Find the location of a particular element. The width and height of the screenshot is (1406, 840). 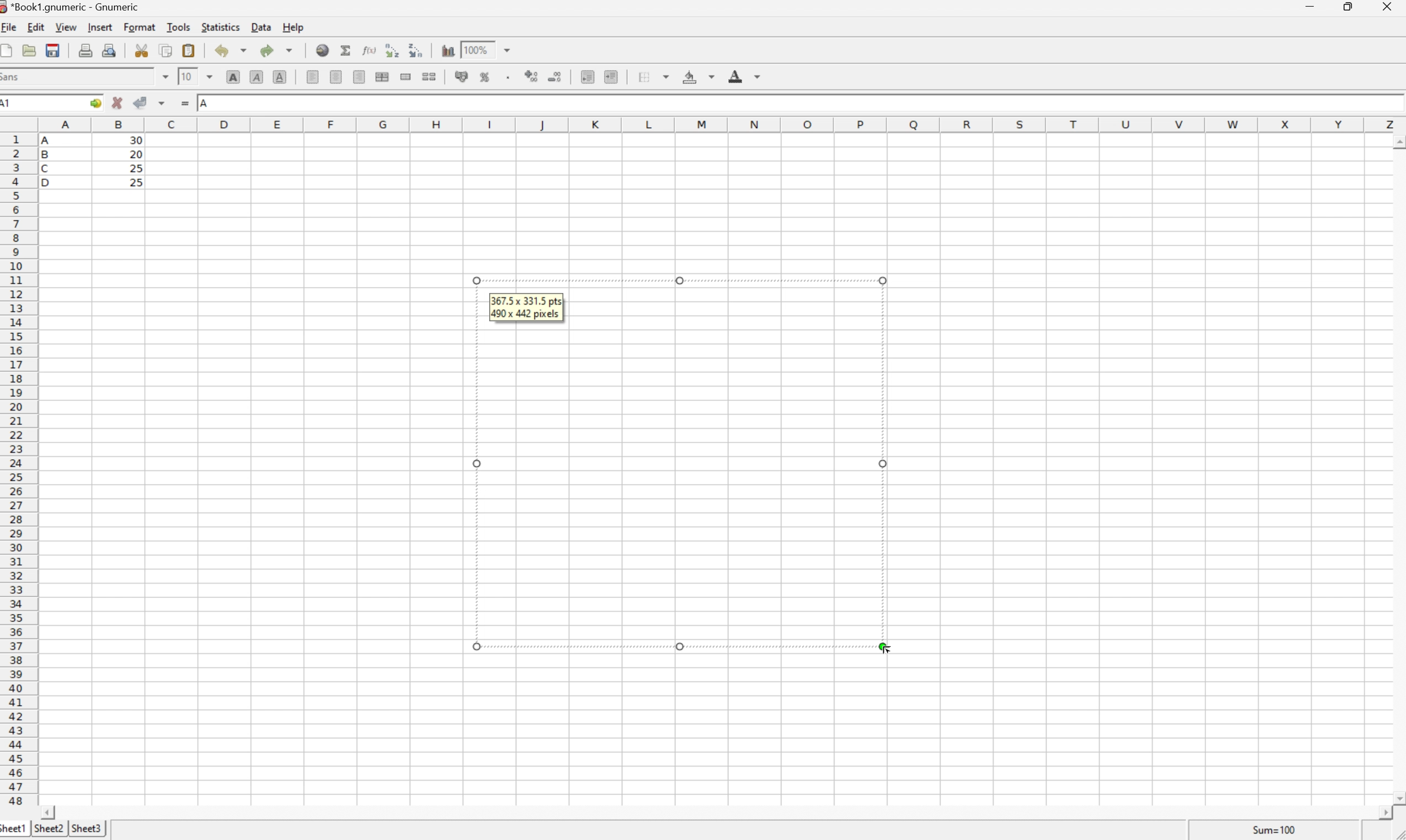

 is located at coordinates (695, 651).